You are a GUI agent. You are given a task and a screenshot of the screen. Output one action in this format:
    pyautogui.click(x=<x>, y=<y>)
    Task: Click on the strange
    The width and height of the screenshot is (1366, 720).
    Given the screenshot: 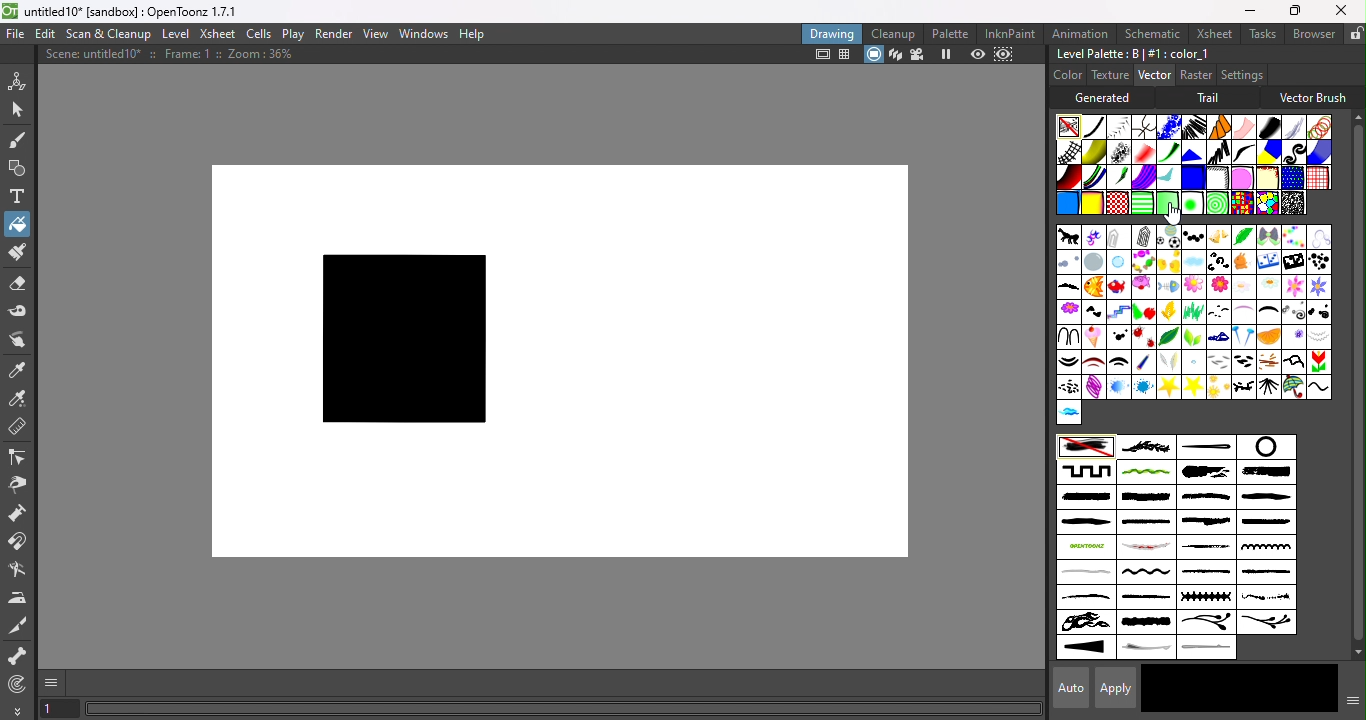 What is the action you would take?
    pyautogui.click(x=1147, y=623)
    